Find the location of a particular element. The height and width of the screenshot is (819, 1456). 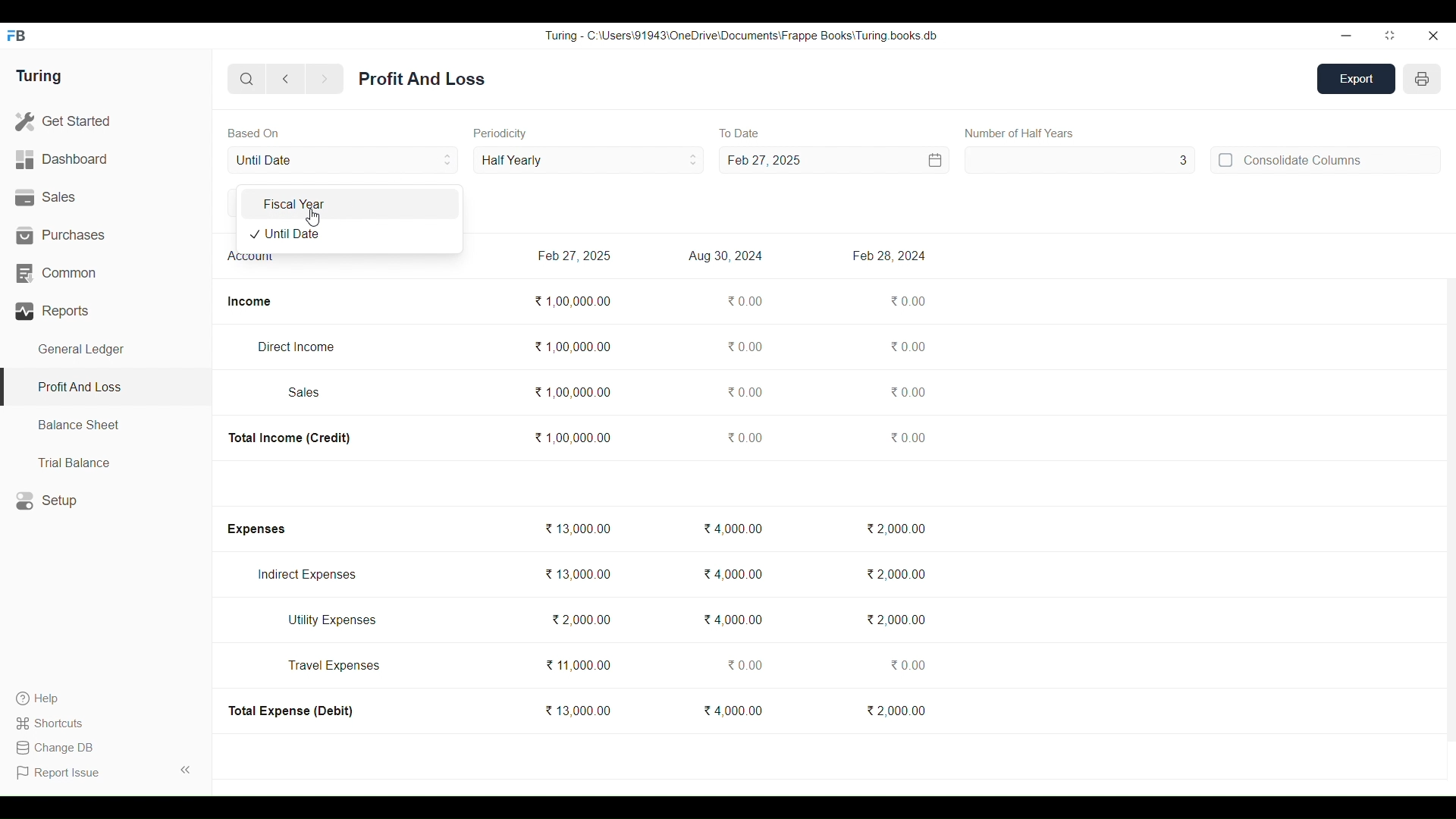

1,00,000.00 is located at coordinates (572, 347).